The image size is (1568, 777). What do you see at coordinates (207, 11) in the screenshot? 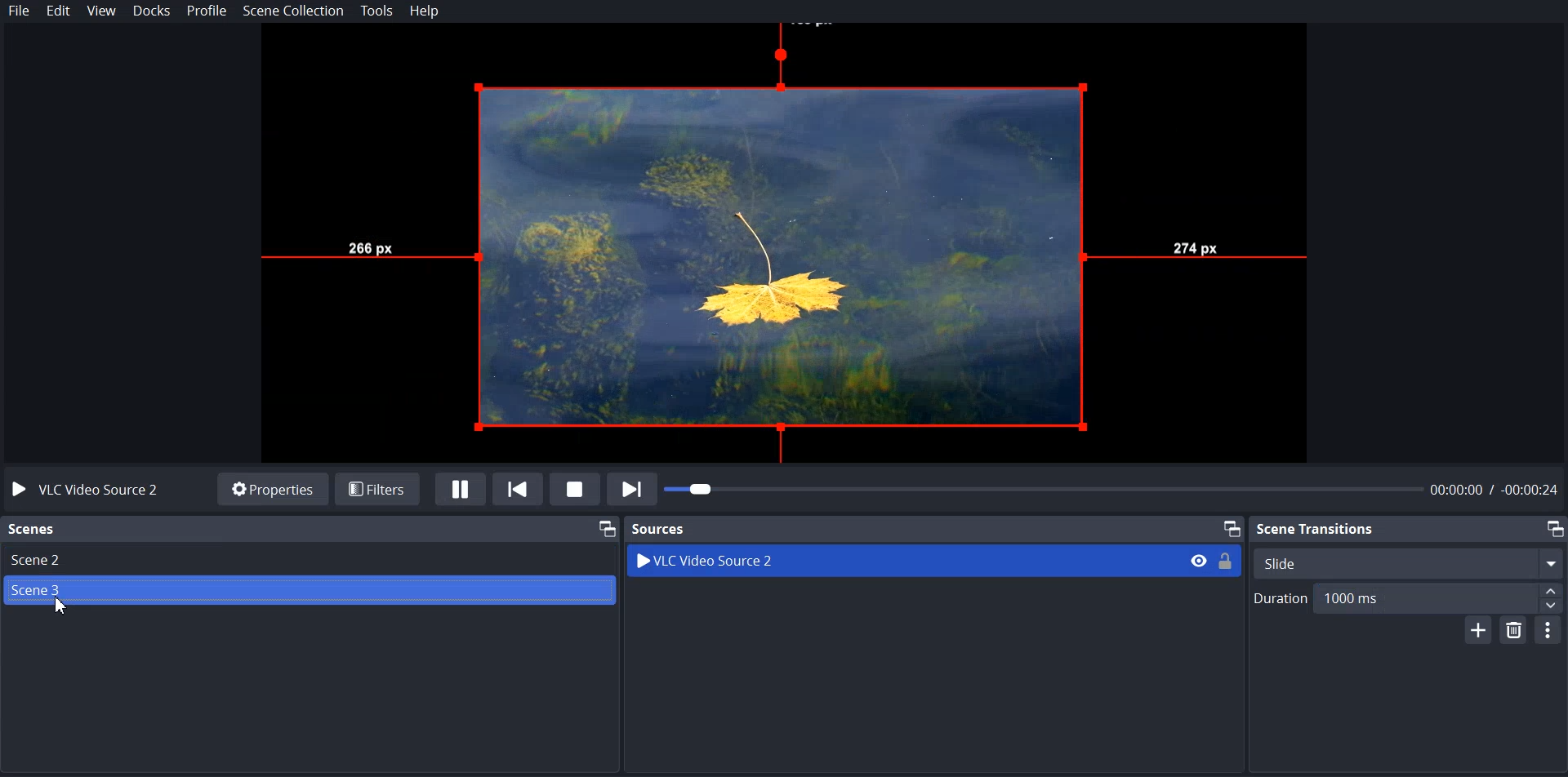
I see `Profile` at bounding box center [207, 11].